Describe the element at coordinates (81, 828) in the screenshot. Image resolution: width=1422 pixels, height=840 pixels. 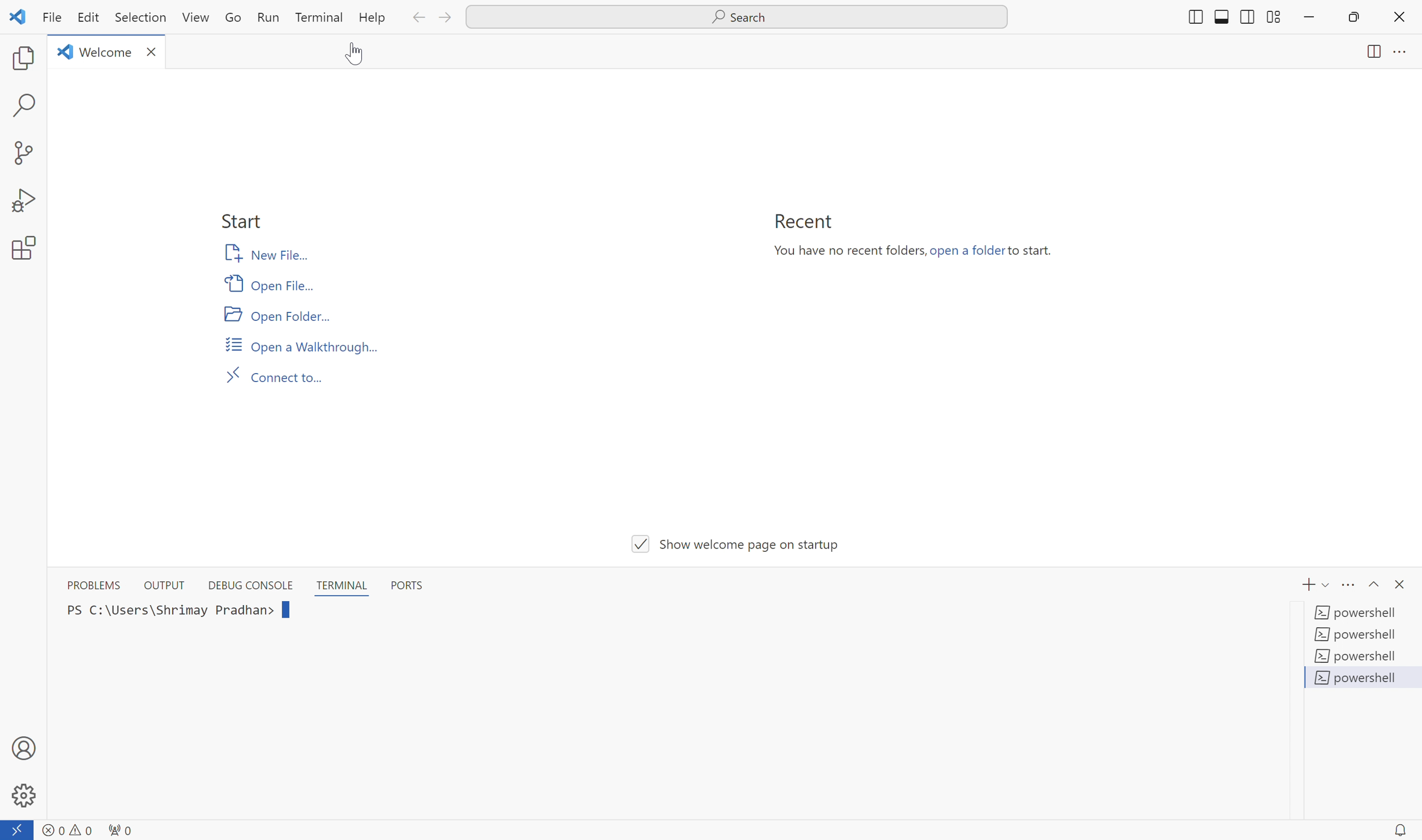
I see `warnings` at that location.